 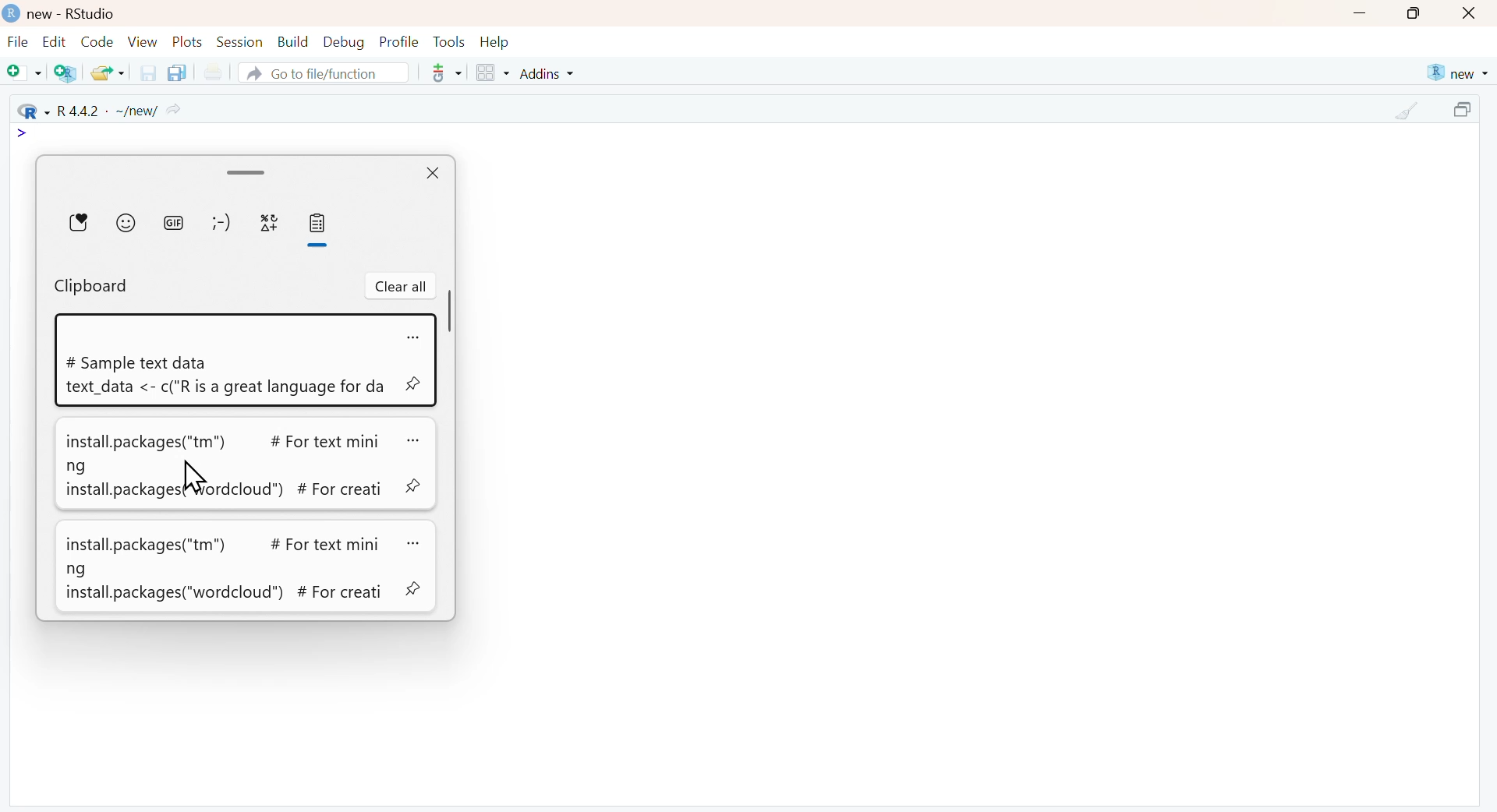 What do you see at coordinates (92, 286) in the screenshot?
I see `Clipboard` at bounding box center [92, 286].